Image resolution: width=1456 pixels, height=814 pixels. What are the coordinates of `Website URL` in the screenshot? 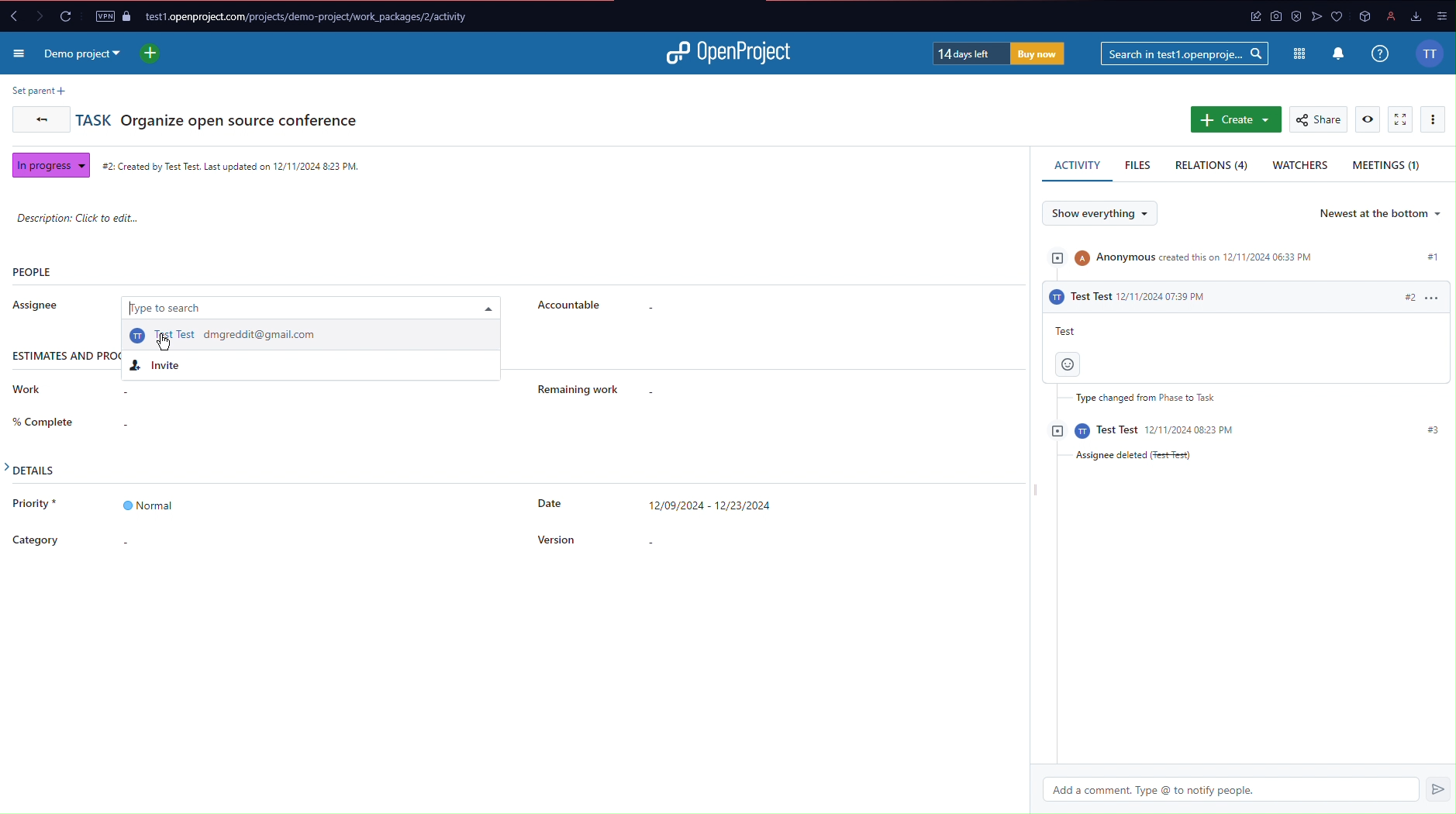 It's located at (314, 18).